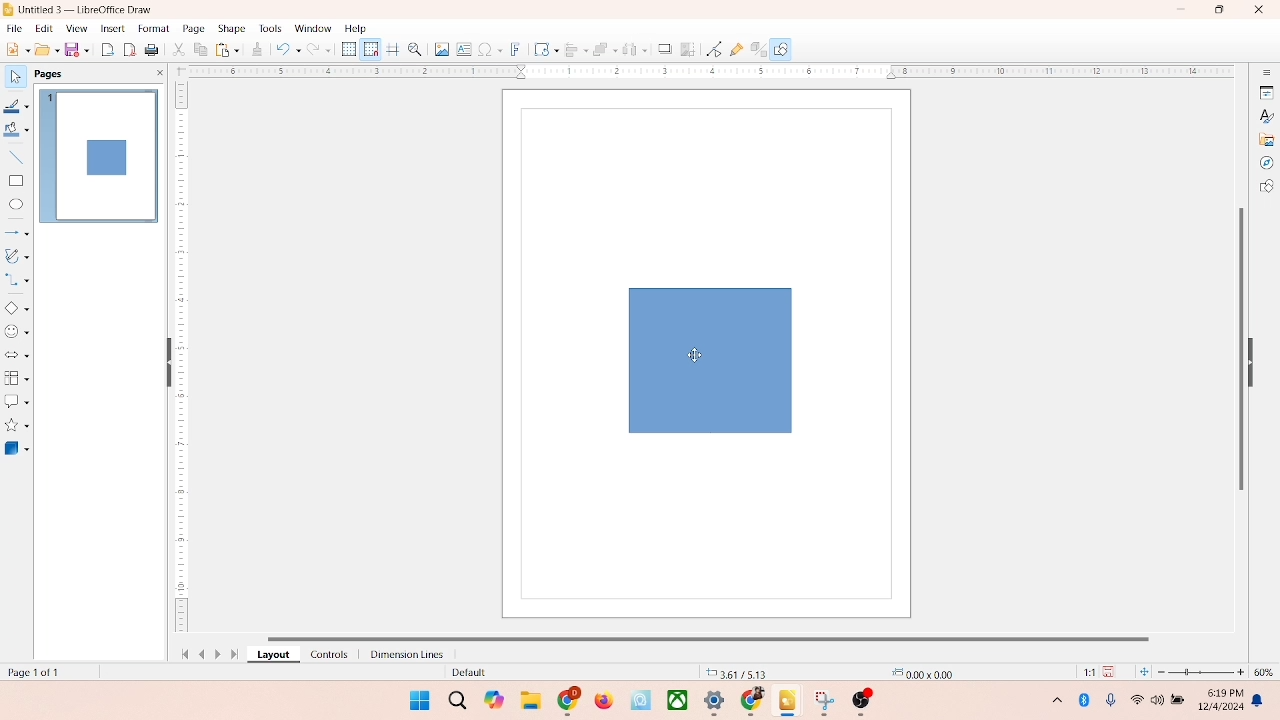 This screenshot has height=720, width=1280. Describe the element at coordinates (1266, 73) in the screenshot. I see `sidebar settings` at that location.